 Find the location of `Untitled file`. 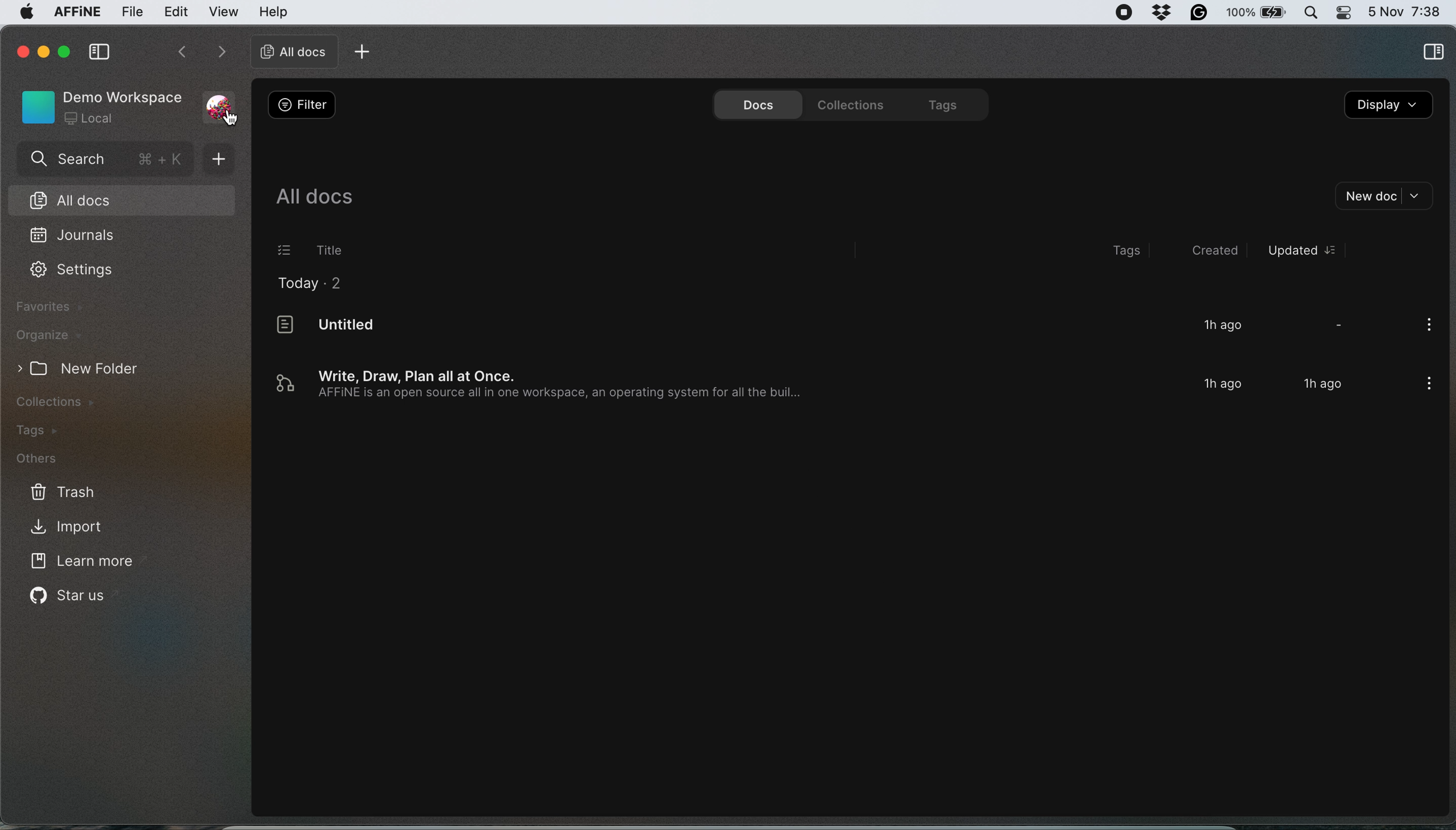

Untitled file is located at coordinates (813, 329).